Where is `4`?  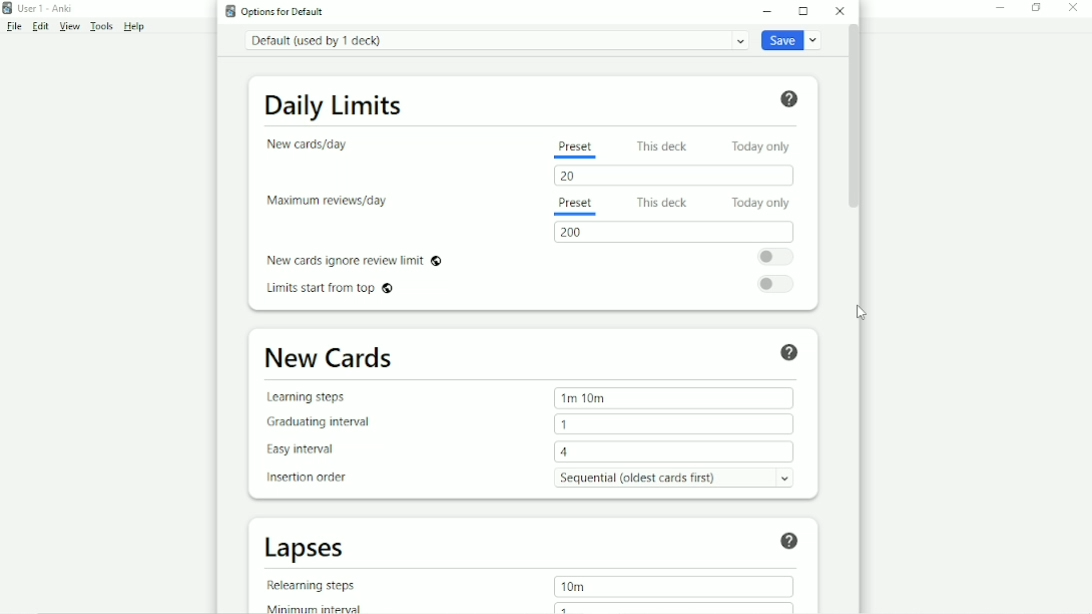
4 is located at coordinates (564, 454).